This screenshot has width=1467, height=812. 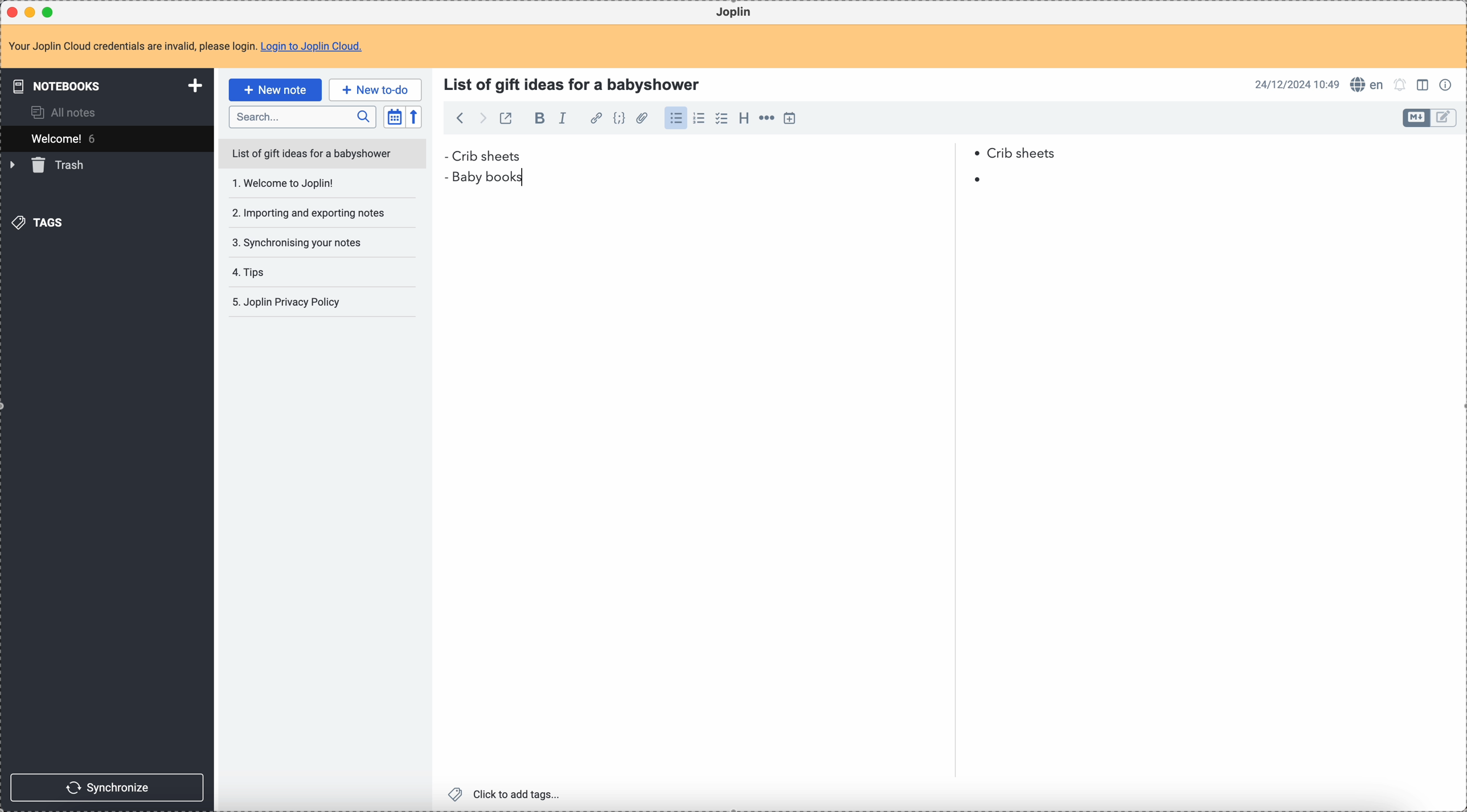 What do you see at coordinates (702, 119) in the screenshot?
I see `numbered list` at bounding box center [702, 119].